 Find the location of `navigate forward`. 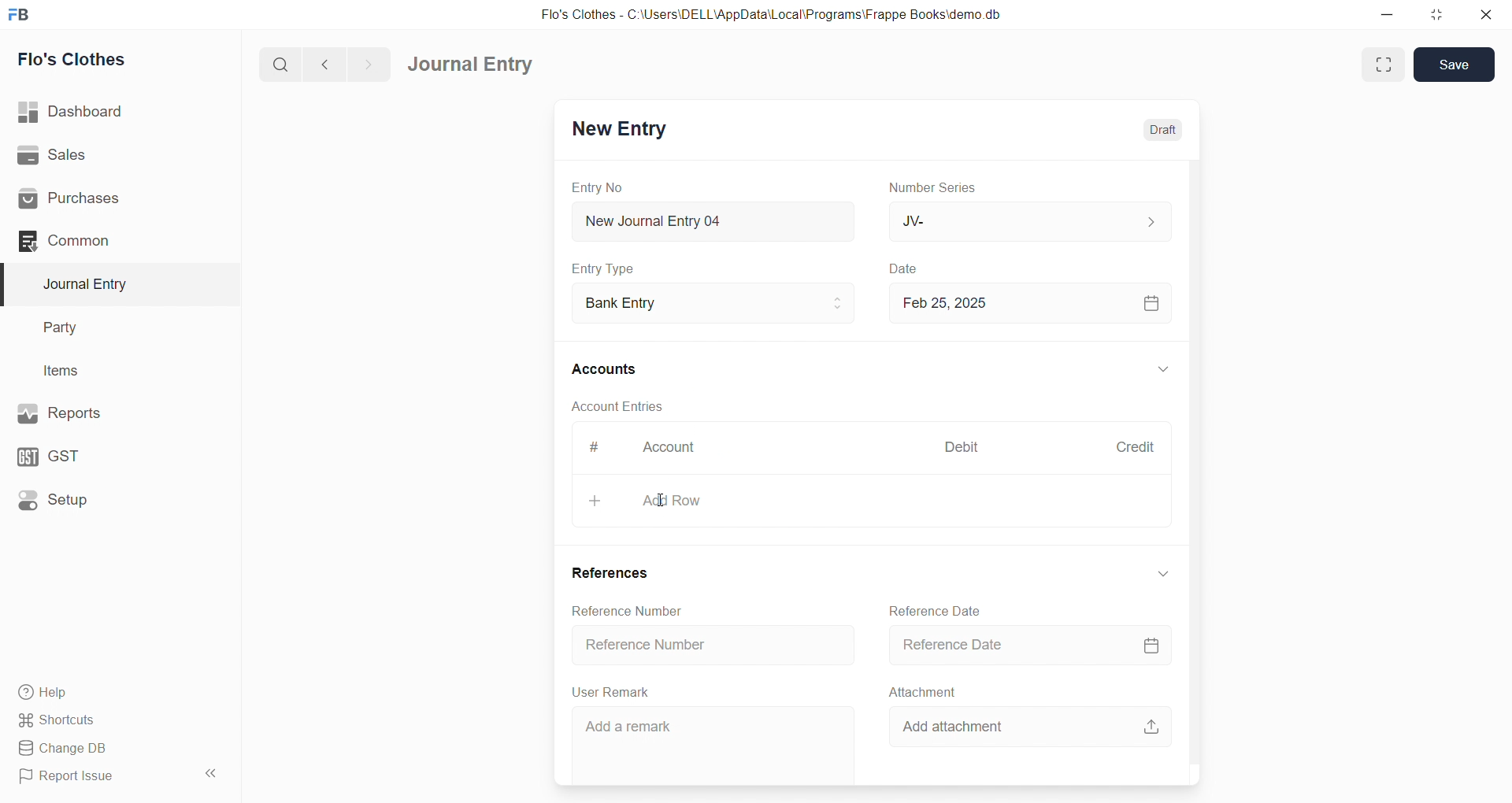

navigate forward is located at coordinates (368, 63).